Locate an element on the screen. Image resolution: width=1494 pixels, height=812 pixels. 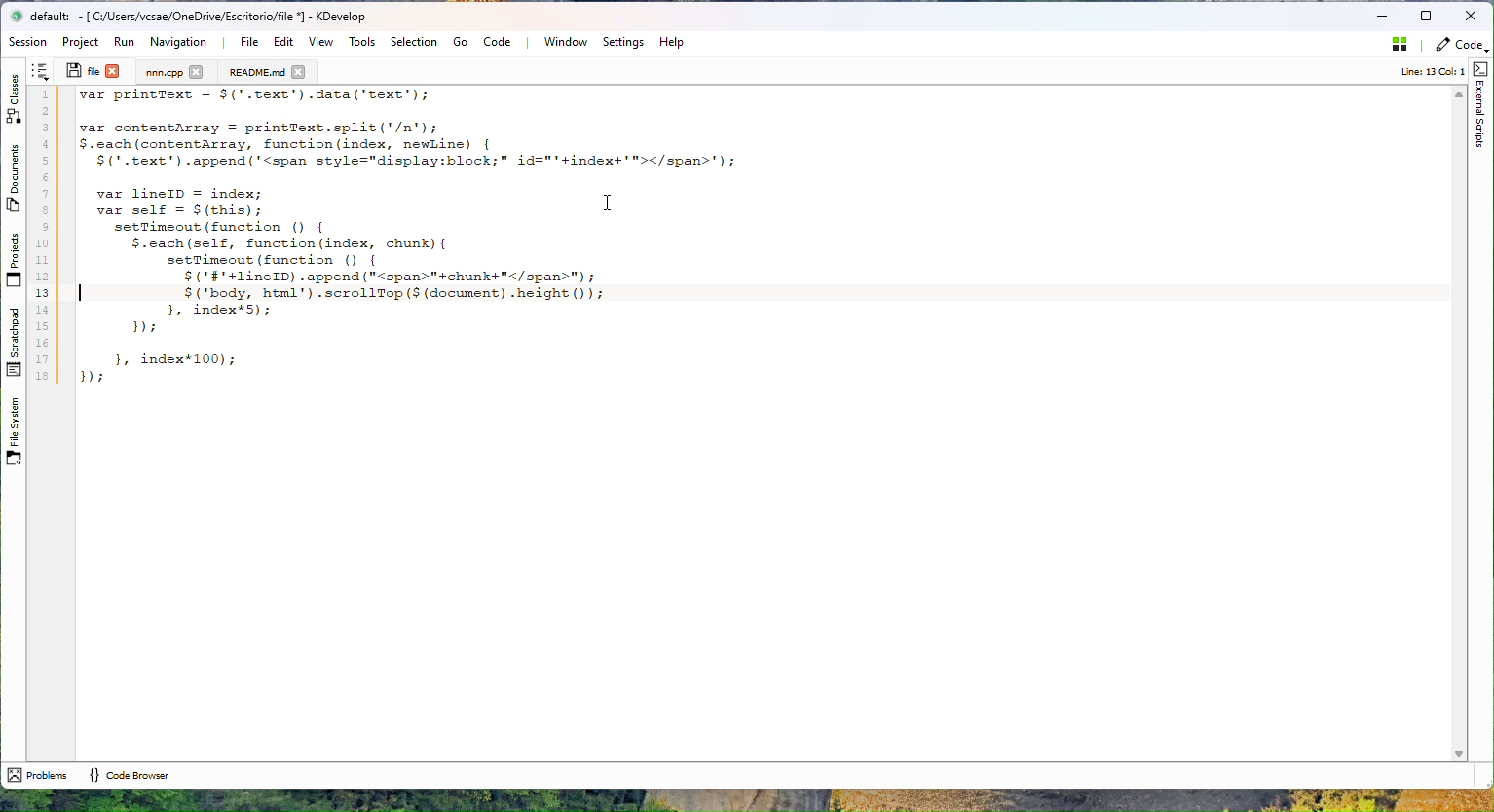
Class is located at coordinates (15, 95).